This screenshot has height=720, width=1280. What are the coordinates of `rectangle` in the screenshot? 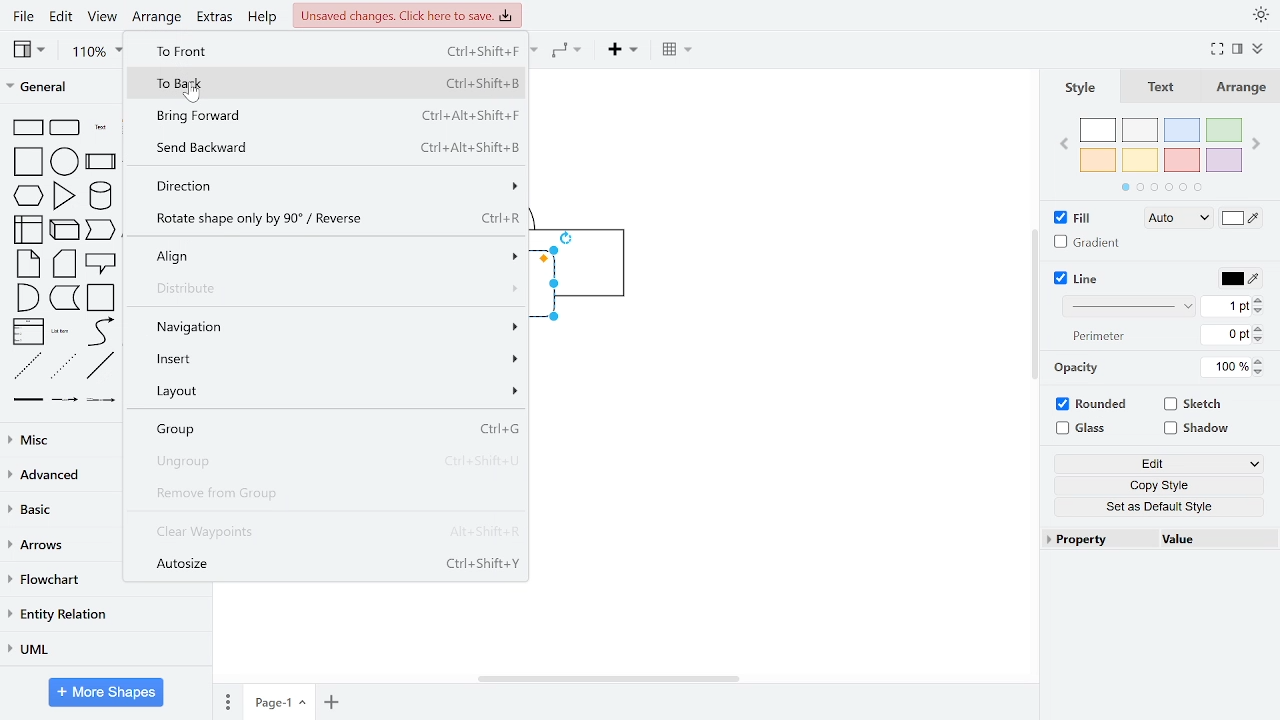 It's located at (27, 128).